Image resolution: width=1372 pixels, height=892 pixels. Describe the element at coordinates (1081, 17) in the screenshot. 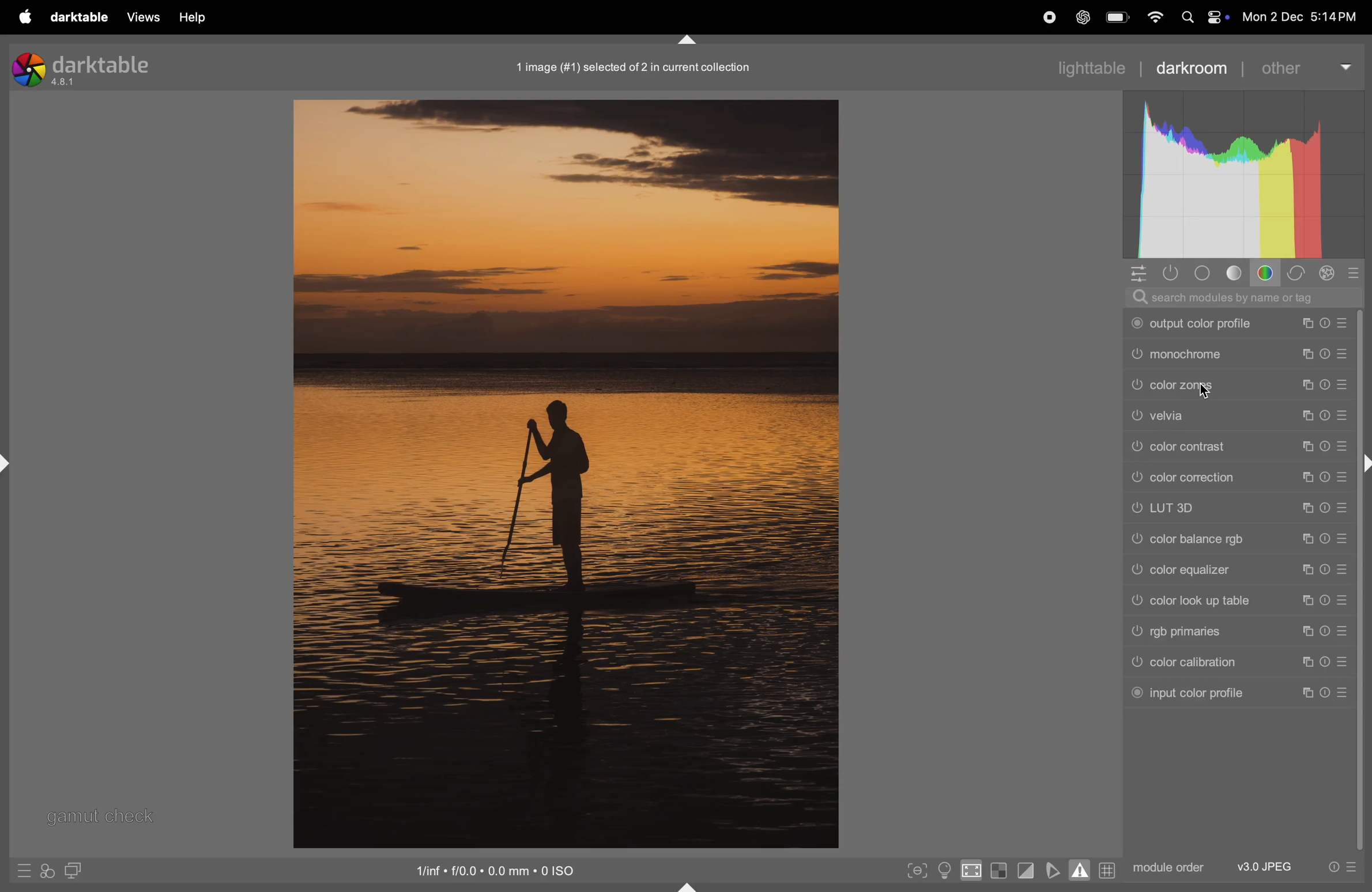

I see `cahtgpt` at that location.